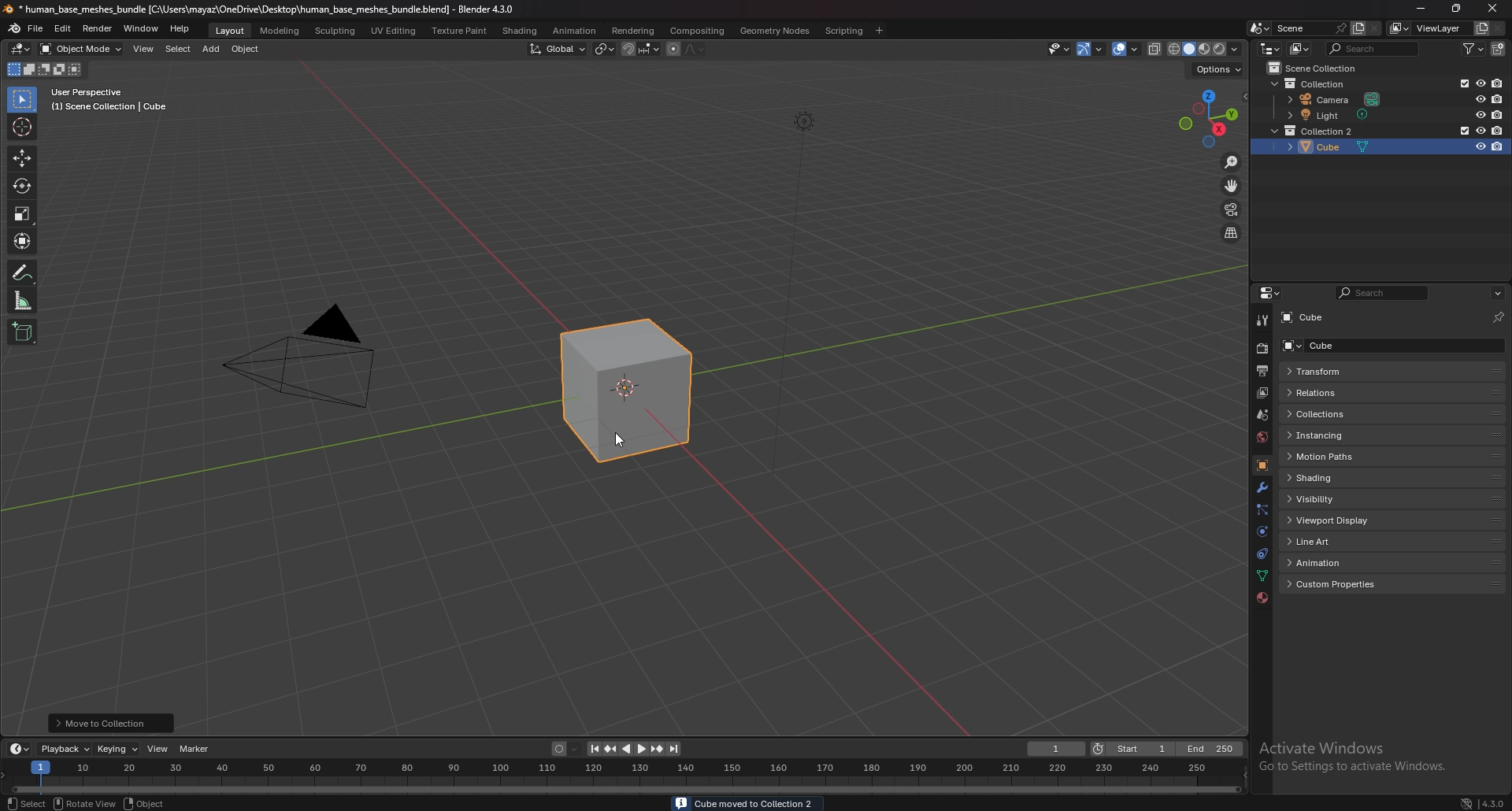  I want to click on collections, so click(1340, 414).